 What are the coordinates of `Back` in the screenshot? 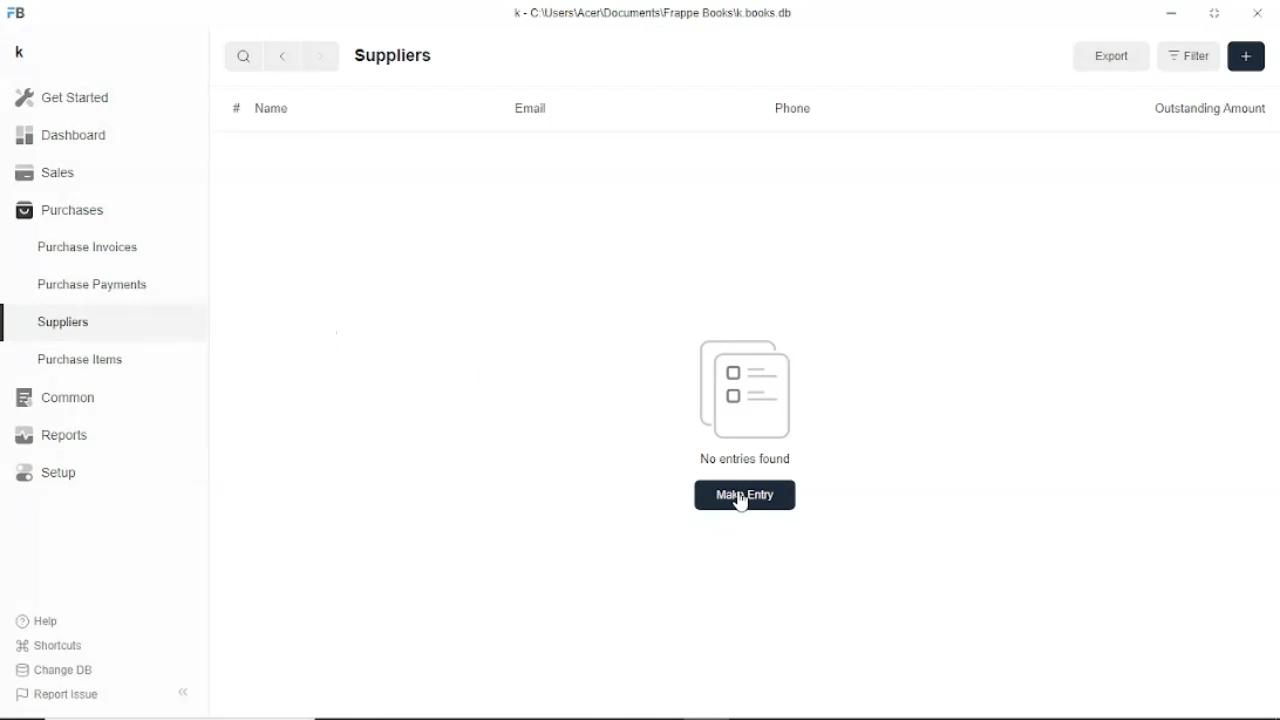 It's located at (286, 56).